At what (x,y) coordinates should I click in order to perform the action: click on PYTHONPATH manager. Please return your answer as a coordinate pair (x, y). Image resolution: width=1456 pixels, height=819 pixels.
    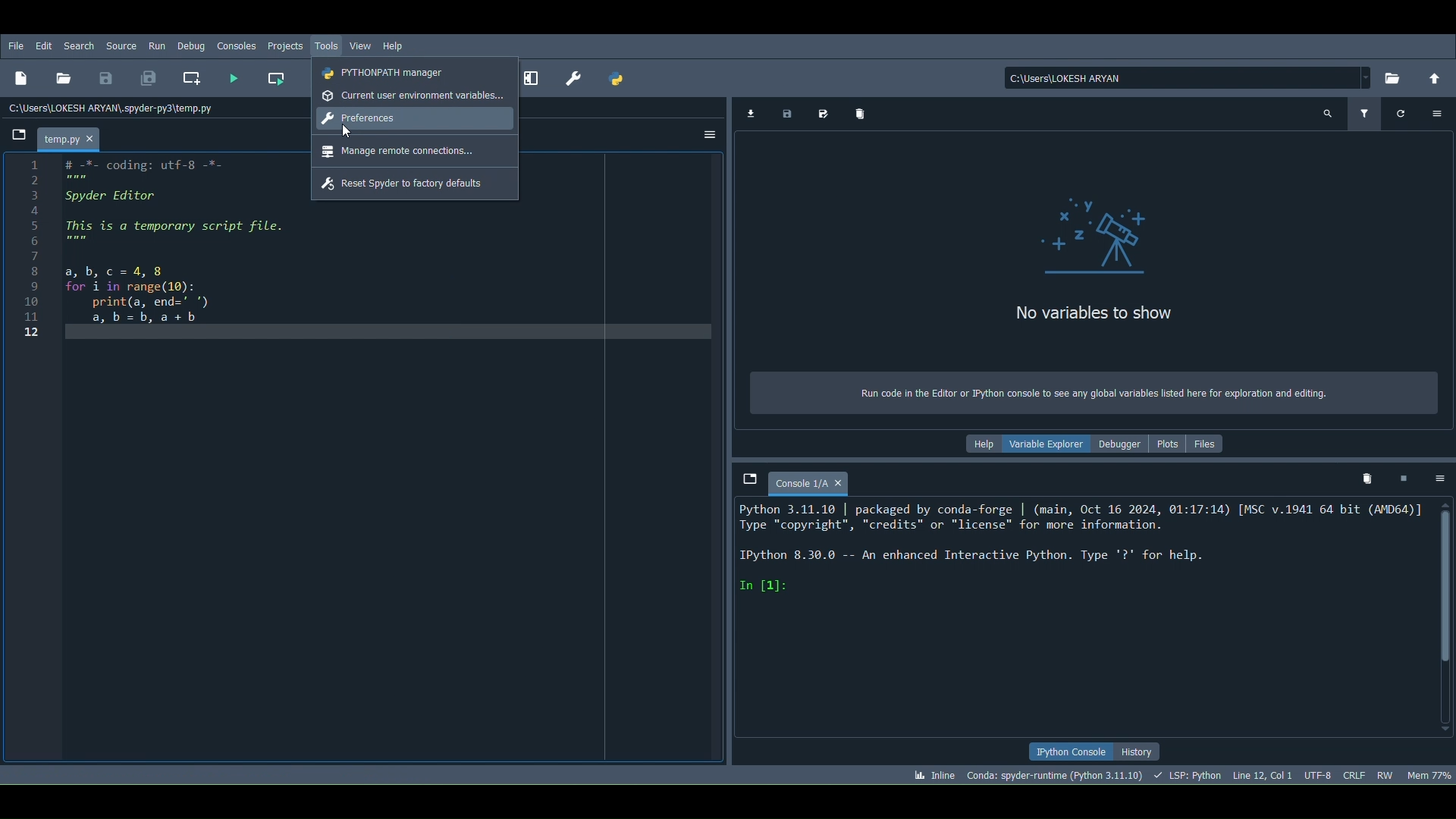
    Looking at the image, I should click on (387, 73).